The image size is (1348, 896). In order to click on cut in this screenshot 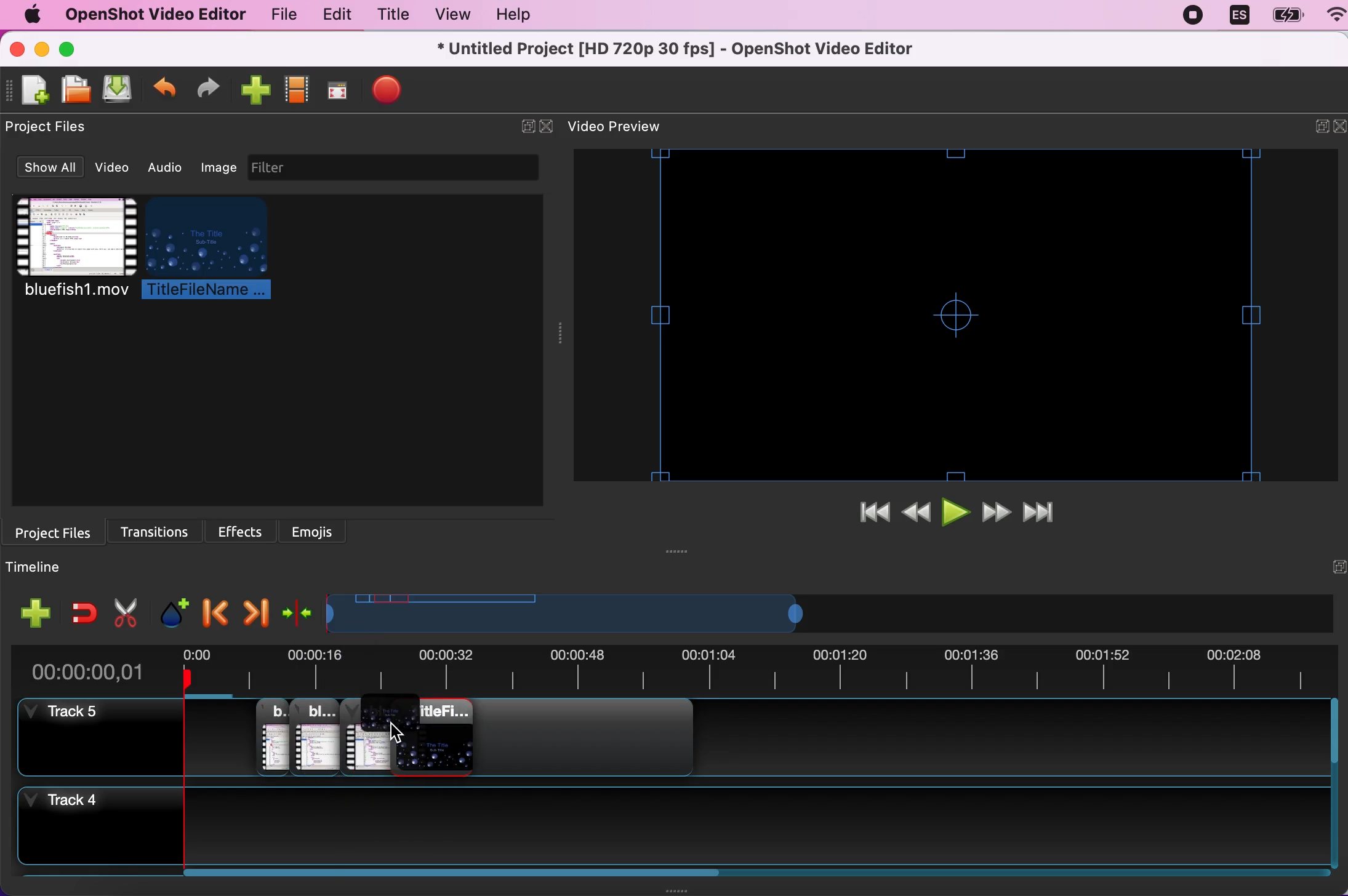, I will do `click(126, 610)`.